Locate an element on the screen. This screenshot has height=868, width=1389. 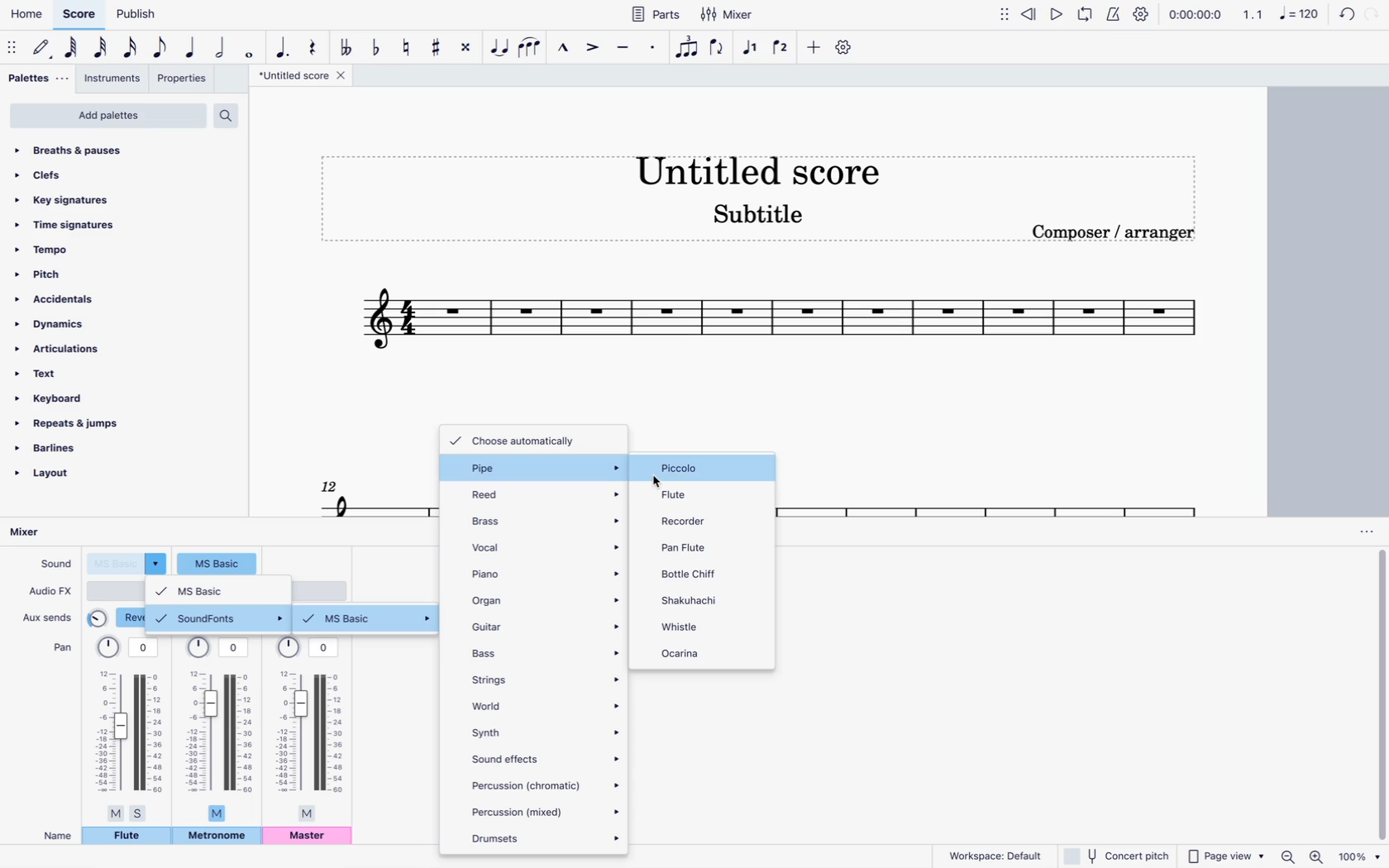
publish is located at coordinates (139, 13).